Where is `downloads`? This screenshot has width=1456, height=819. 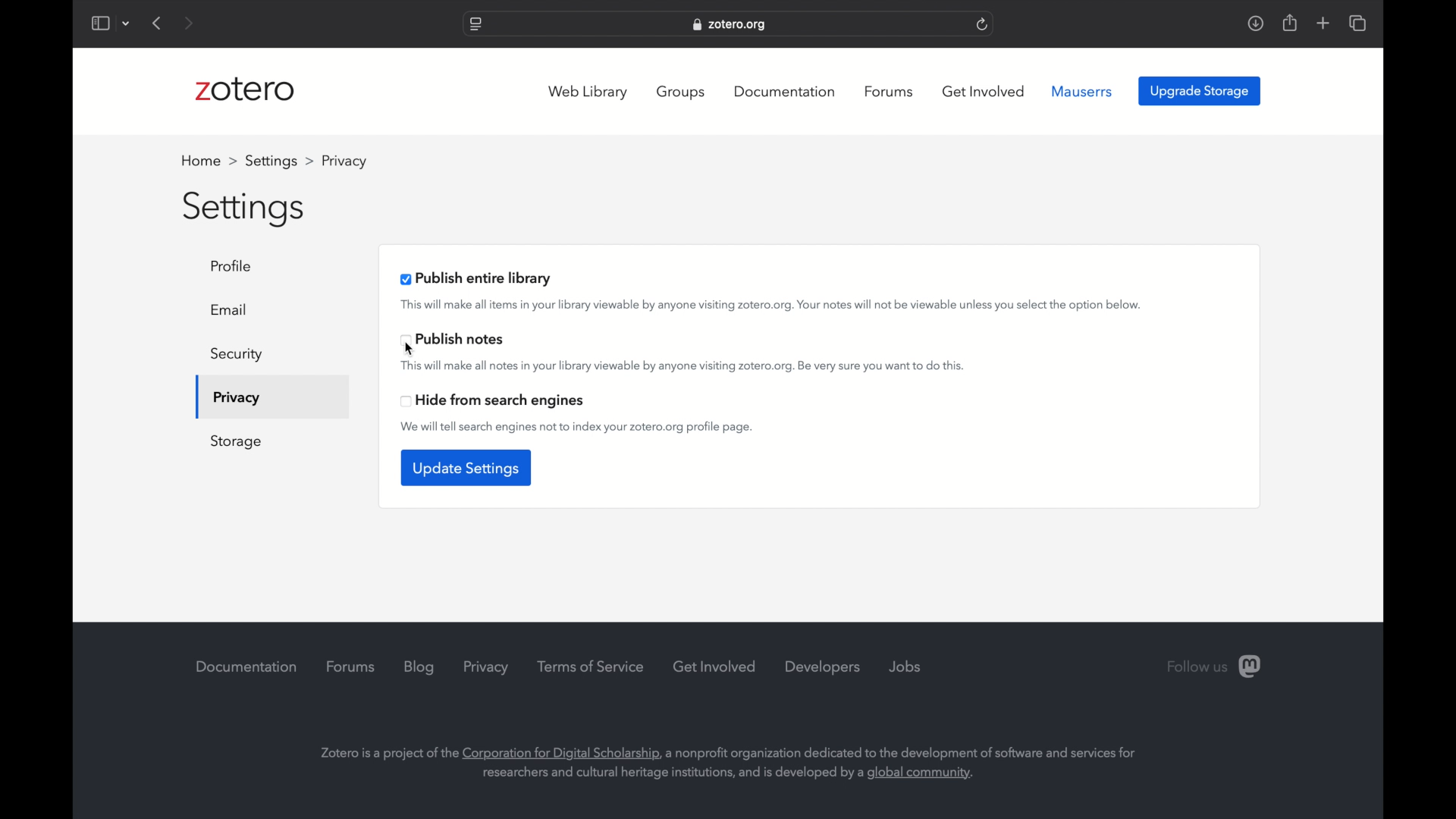 downloads is located at coordinates (1255, 24).